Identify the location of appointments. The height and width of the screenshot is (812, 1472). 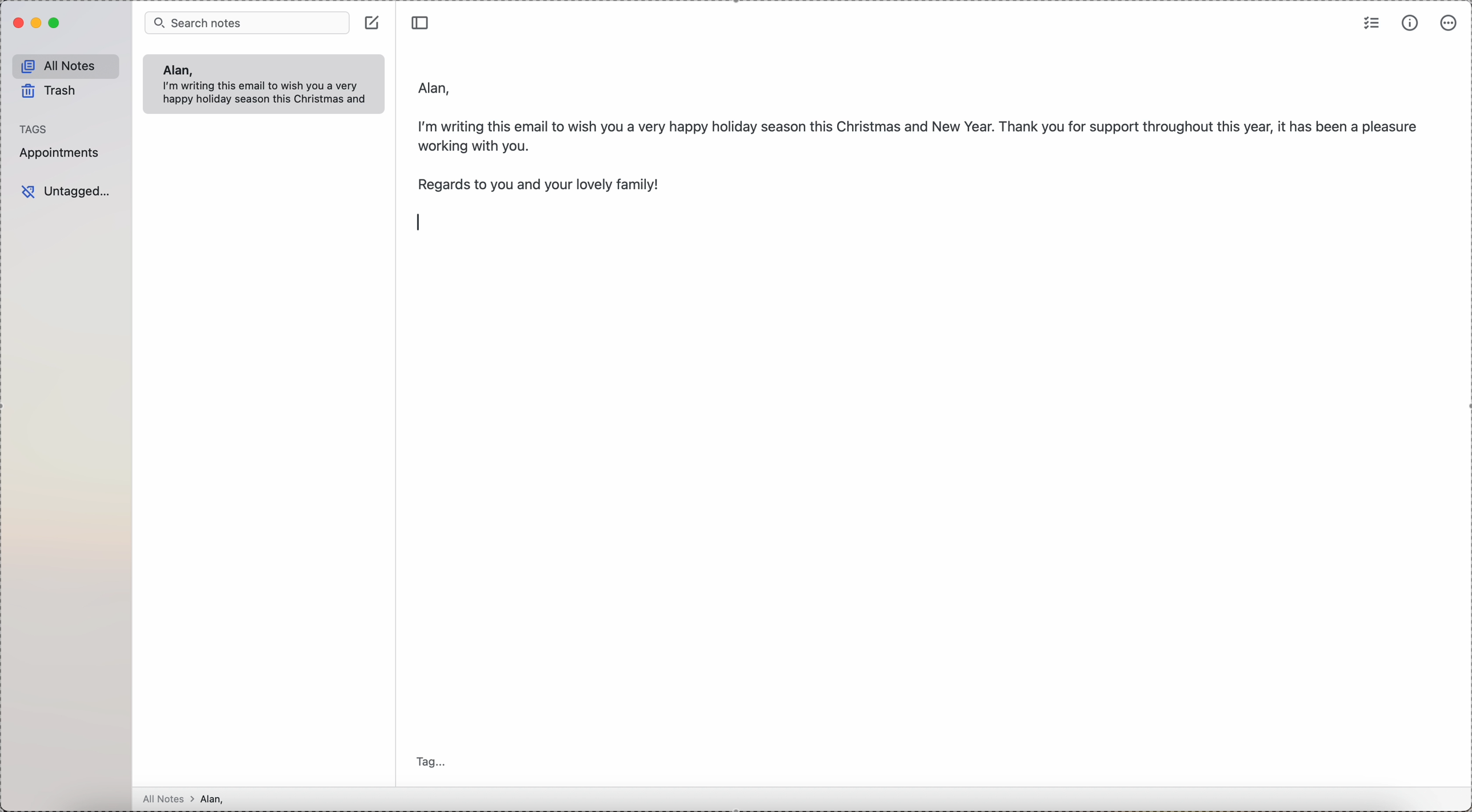
(62, 153).